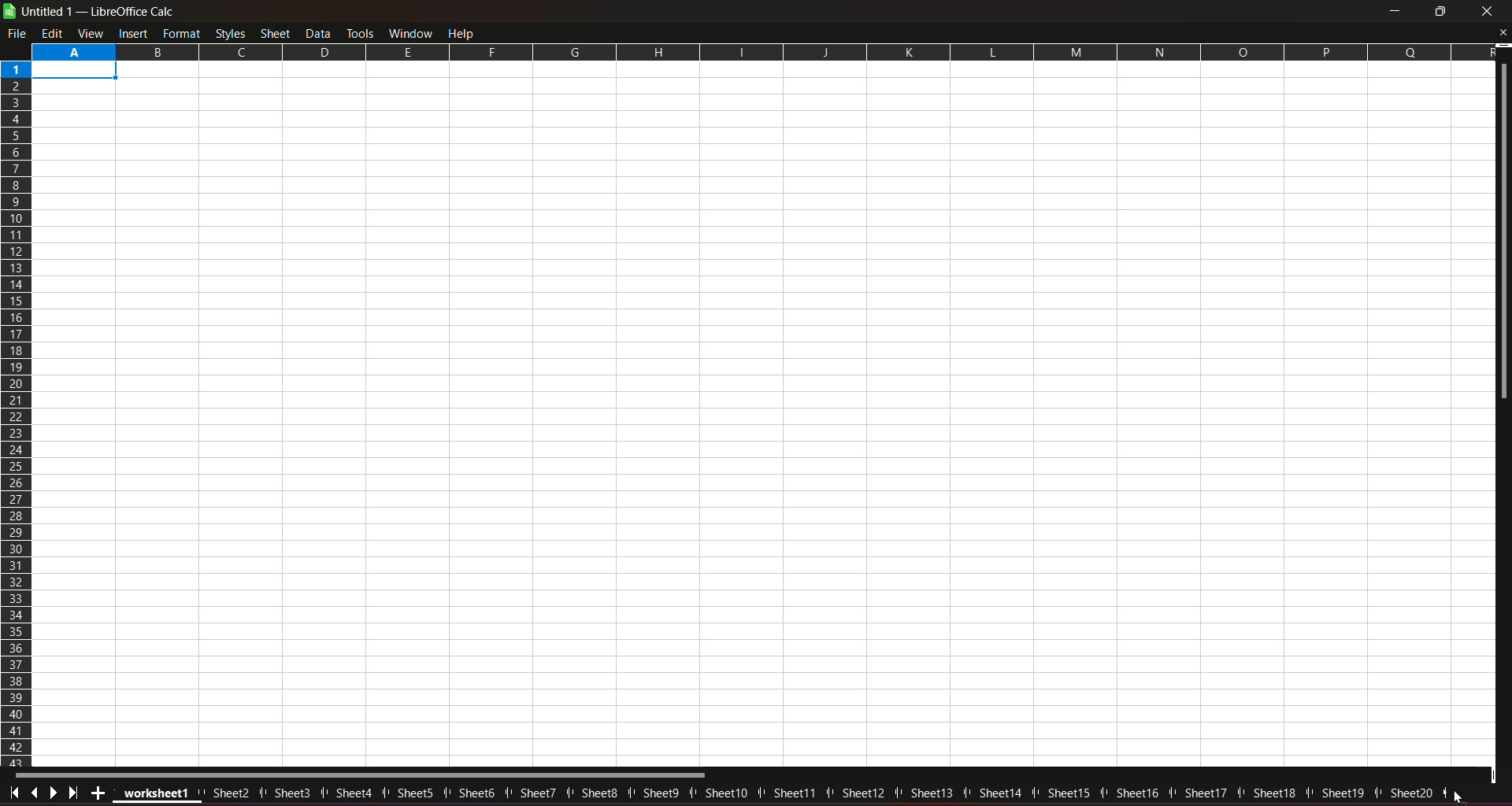  What do you see at coordinates (362, 775) in the screenshot?
I see `scrollbar` at bounding box center [362, 775].